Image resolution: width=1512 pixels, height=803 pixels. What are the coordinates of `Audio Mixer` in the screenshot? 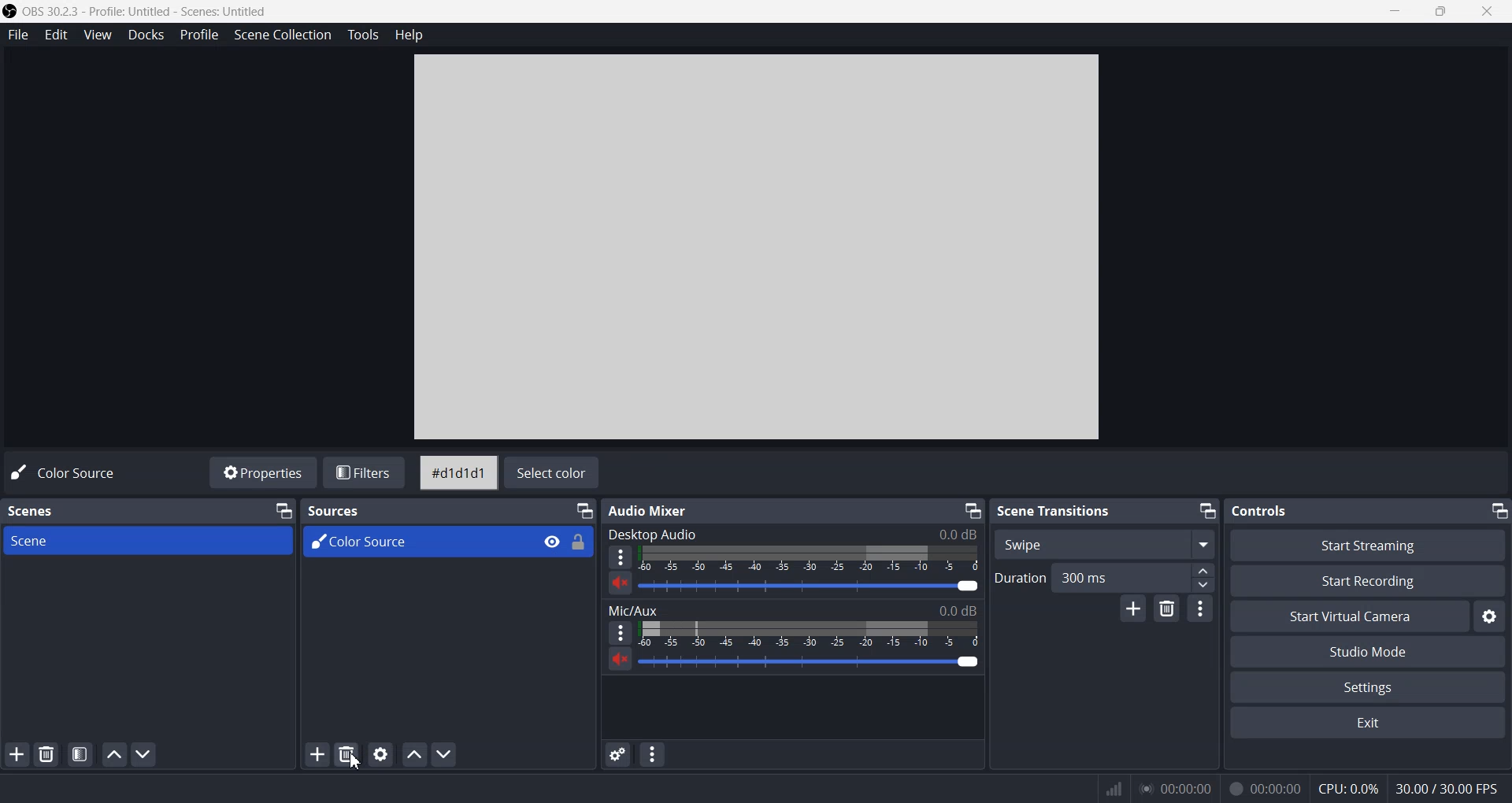 It's located at (650, 510).